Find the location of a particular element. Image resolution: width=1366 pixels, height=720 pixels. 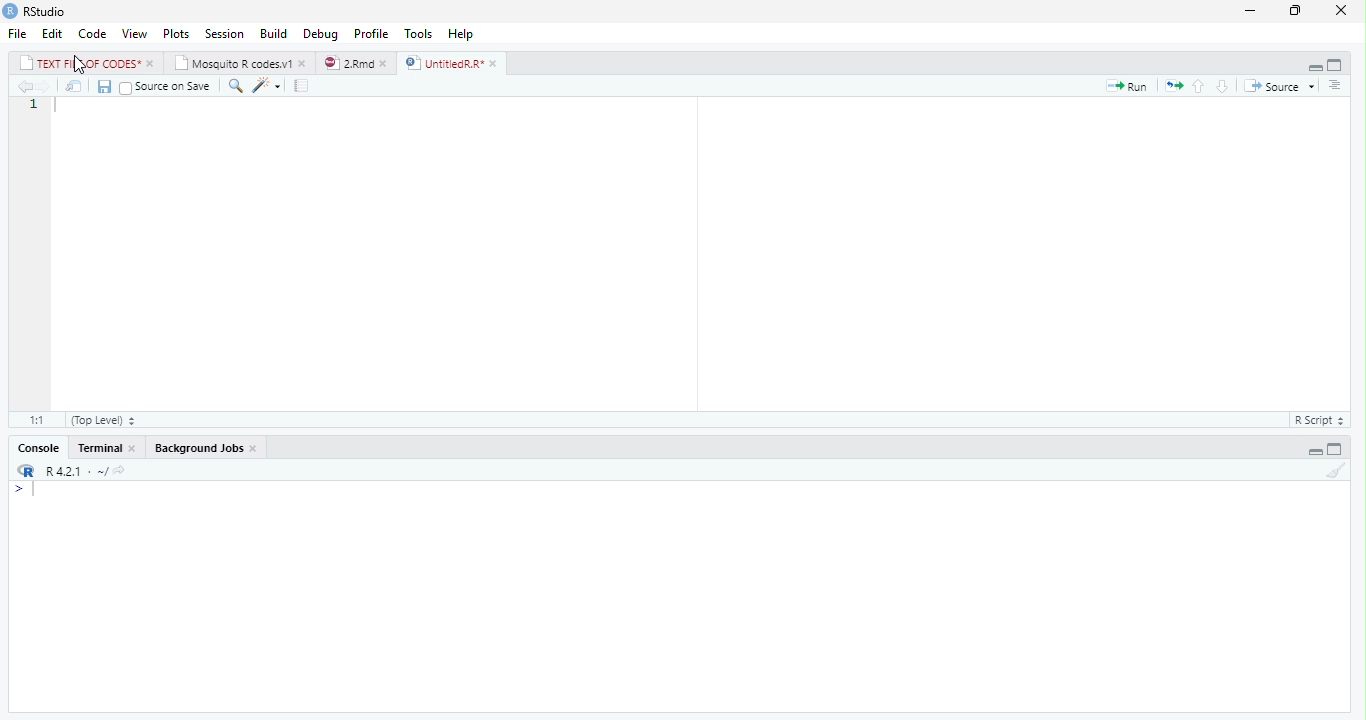

Edit is located at coordinates (53, 33).